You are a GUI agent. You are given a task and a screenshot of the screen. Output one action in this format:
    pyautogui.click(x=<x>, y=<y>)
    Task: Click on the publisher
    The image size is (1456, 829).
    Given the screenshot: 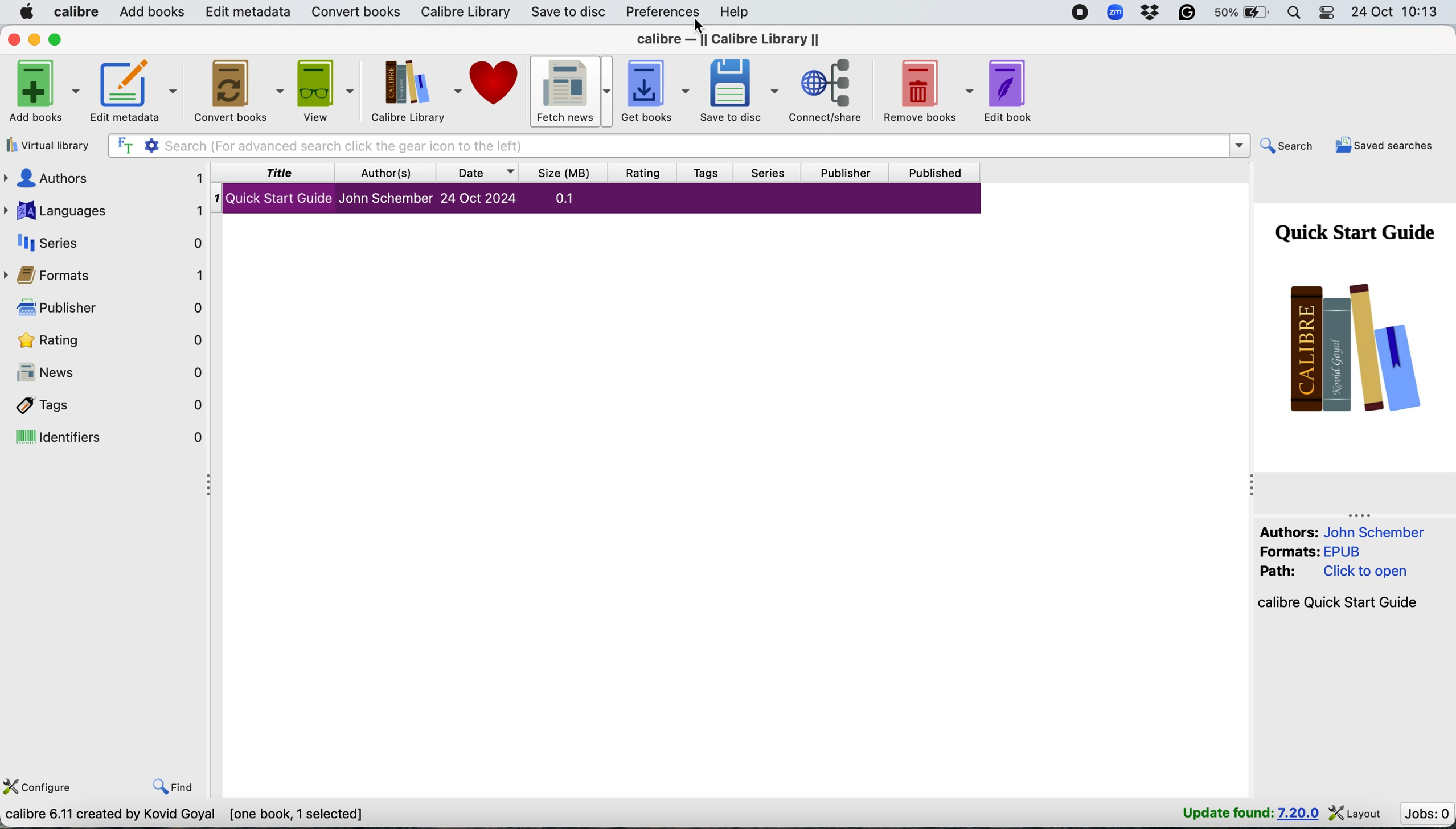 What is the action you would take?
    pyautogui.click(x=847, y=172)
    